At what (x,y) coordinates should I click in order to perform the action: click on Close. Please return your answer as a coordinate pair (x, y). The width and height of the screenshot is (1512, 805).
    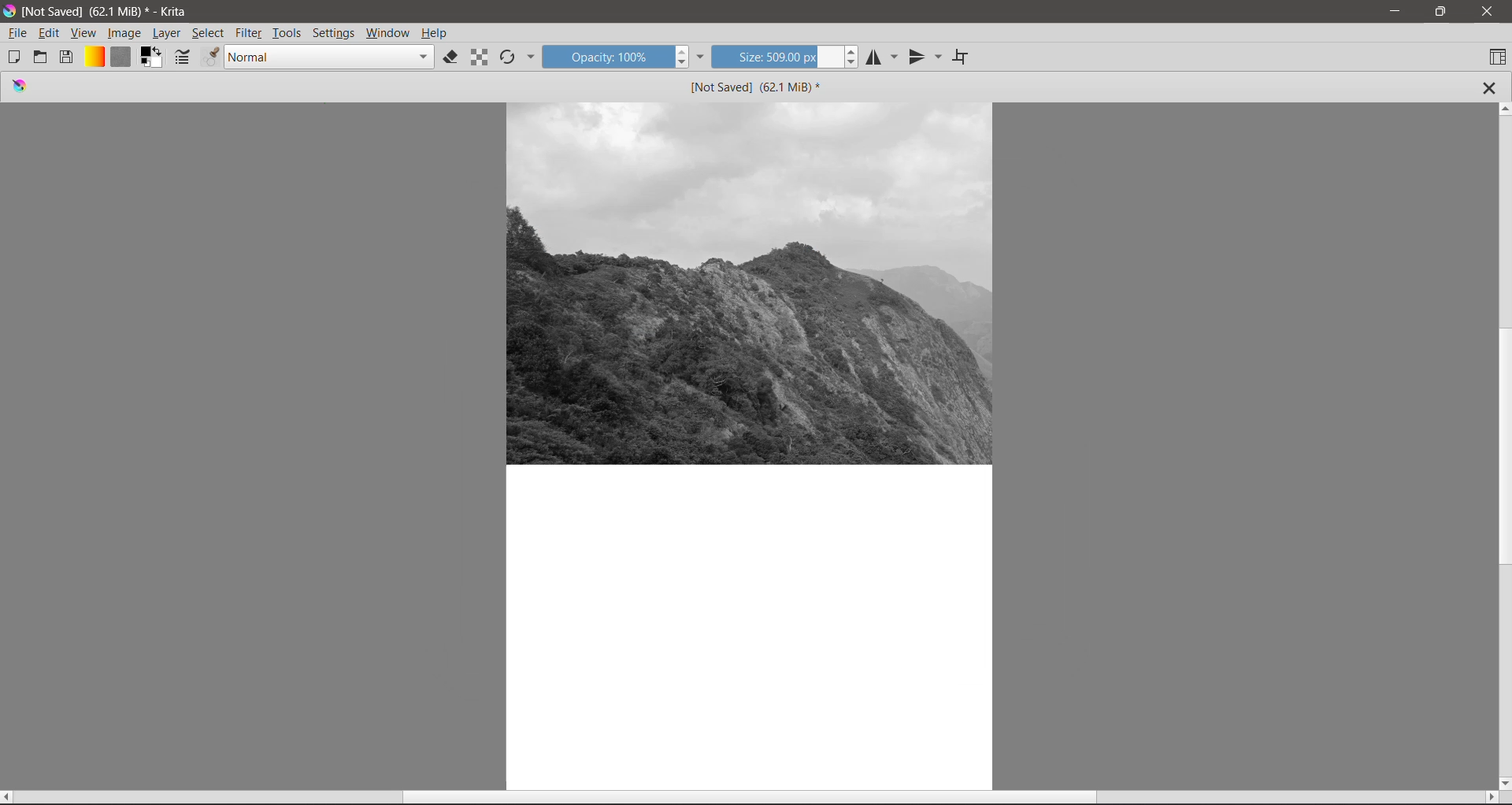
    Looking at the image, I should click on (1489, 12).